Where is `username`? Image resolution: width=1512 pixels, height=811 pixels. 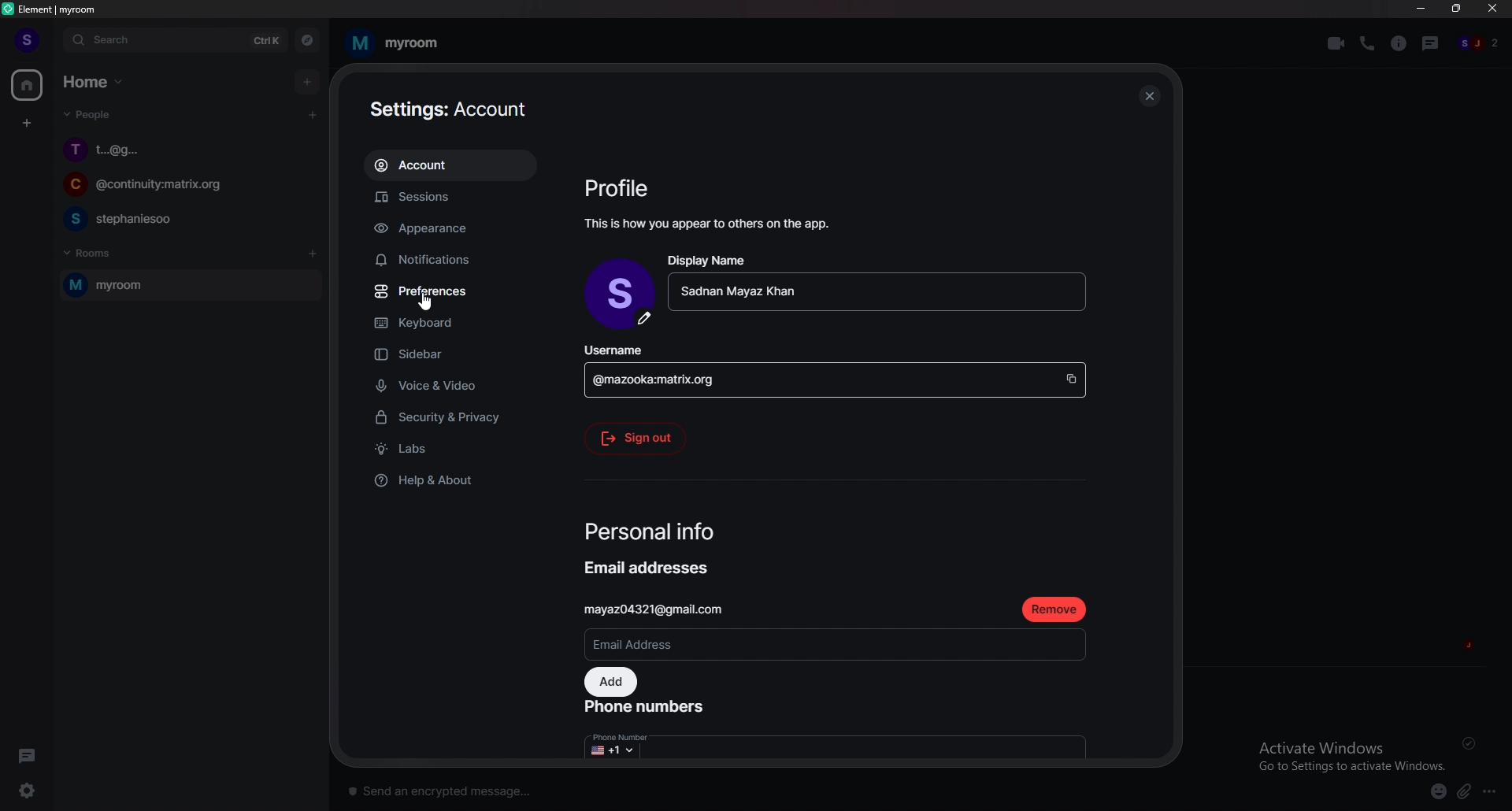
username is located at coordinates (835, 371).